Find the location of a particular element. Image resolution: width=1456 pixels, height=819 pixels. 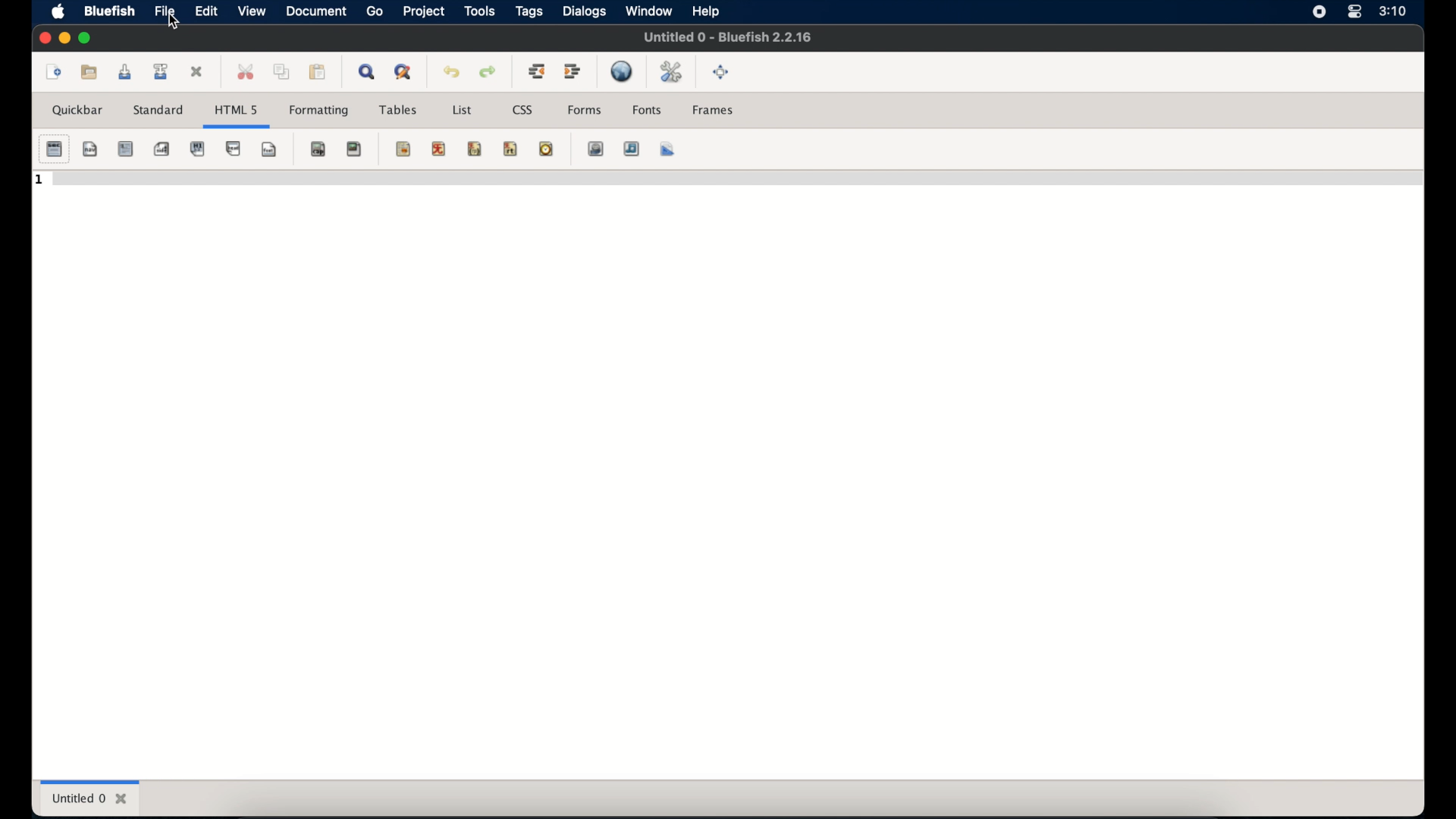

strong is located at coordinates (125, 149).